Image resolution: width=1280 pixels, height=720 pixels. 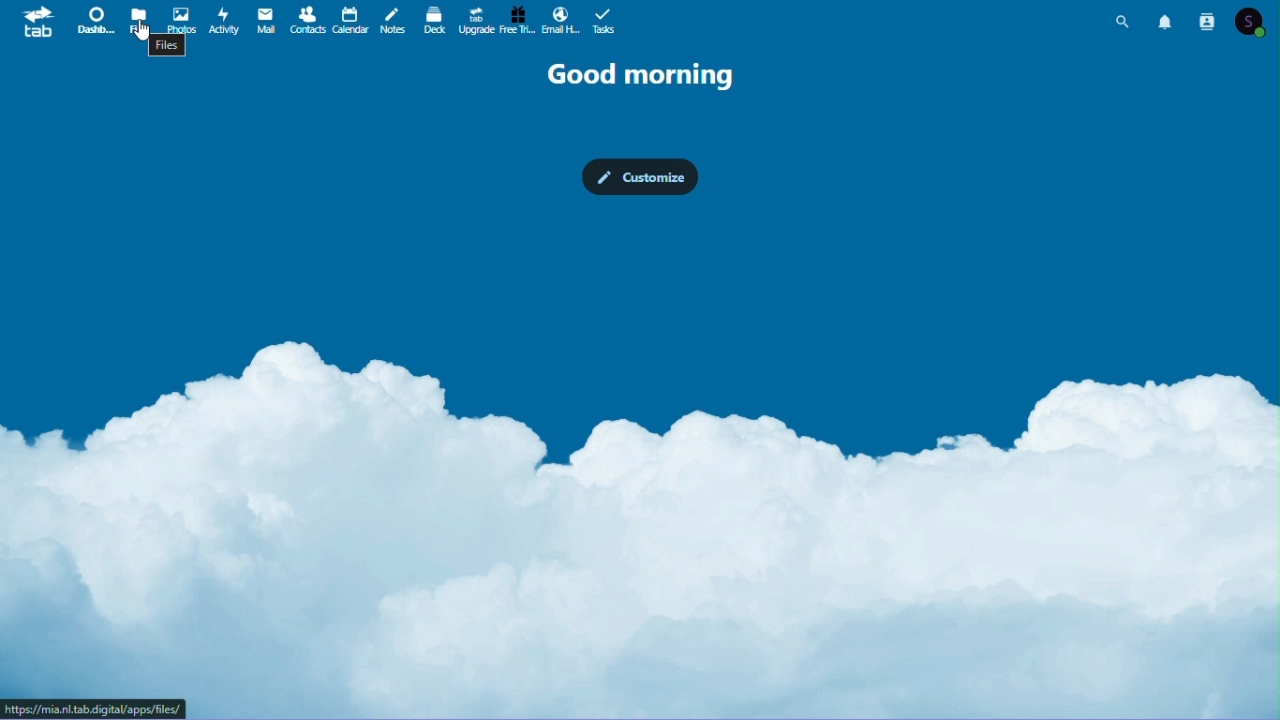 I want to click on contacts, so click(x=302, y=17).